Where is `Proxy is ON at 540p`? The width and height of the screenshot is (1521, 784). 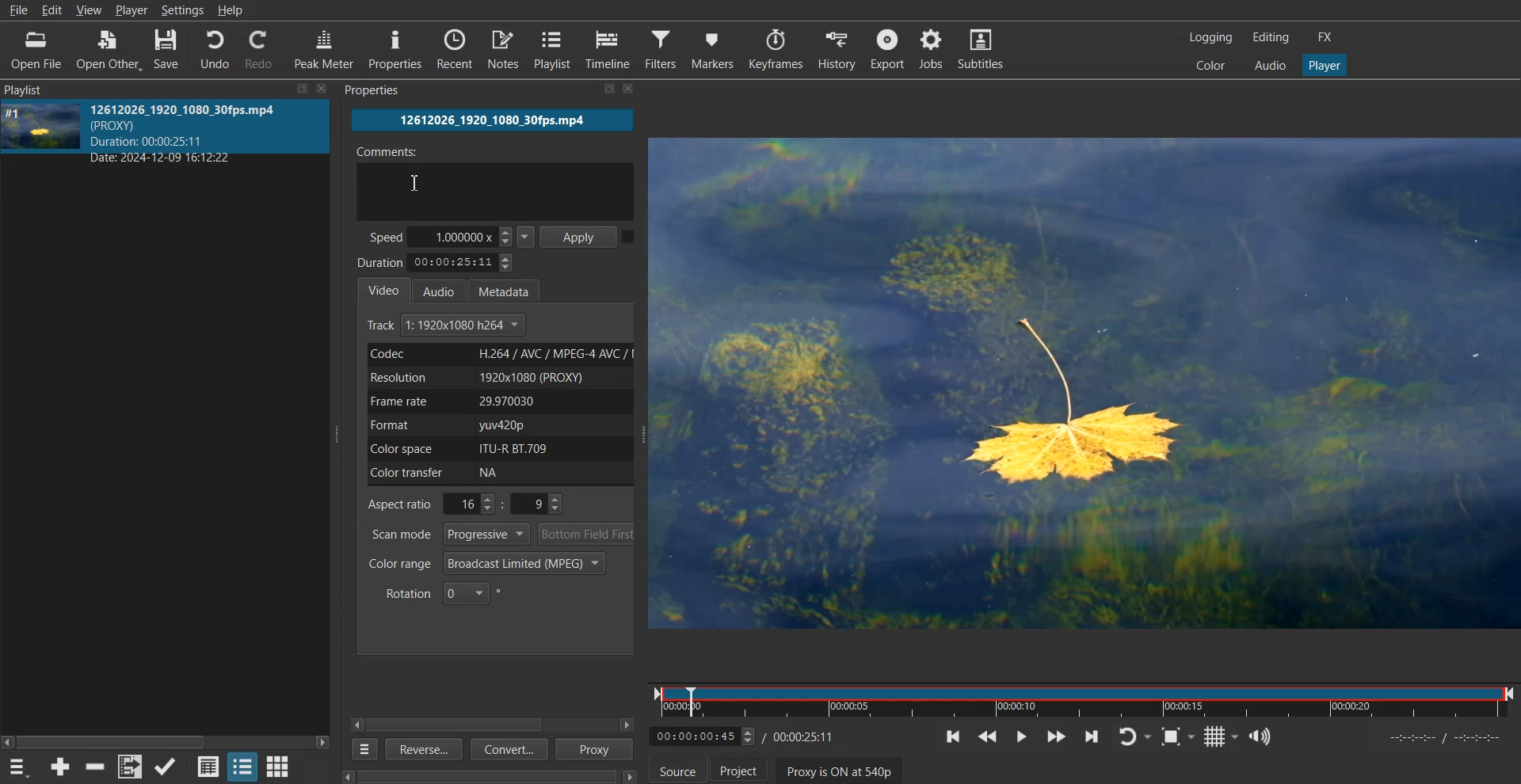 Proxy is ON at 540p is located at coordinates (840, 770).